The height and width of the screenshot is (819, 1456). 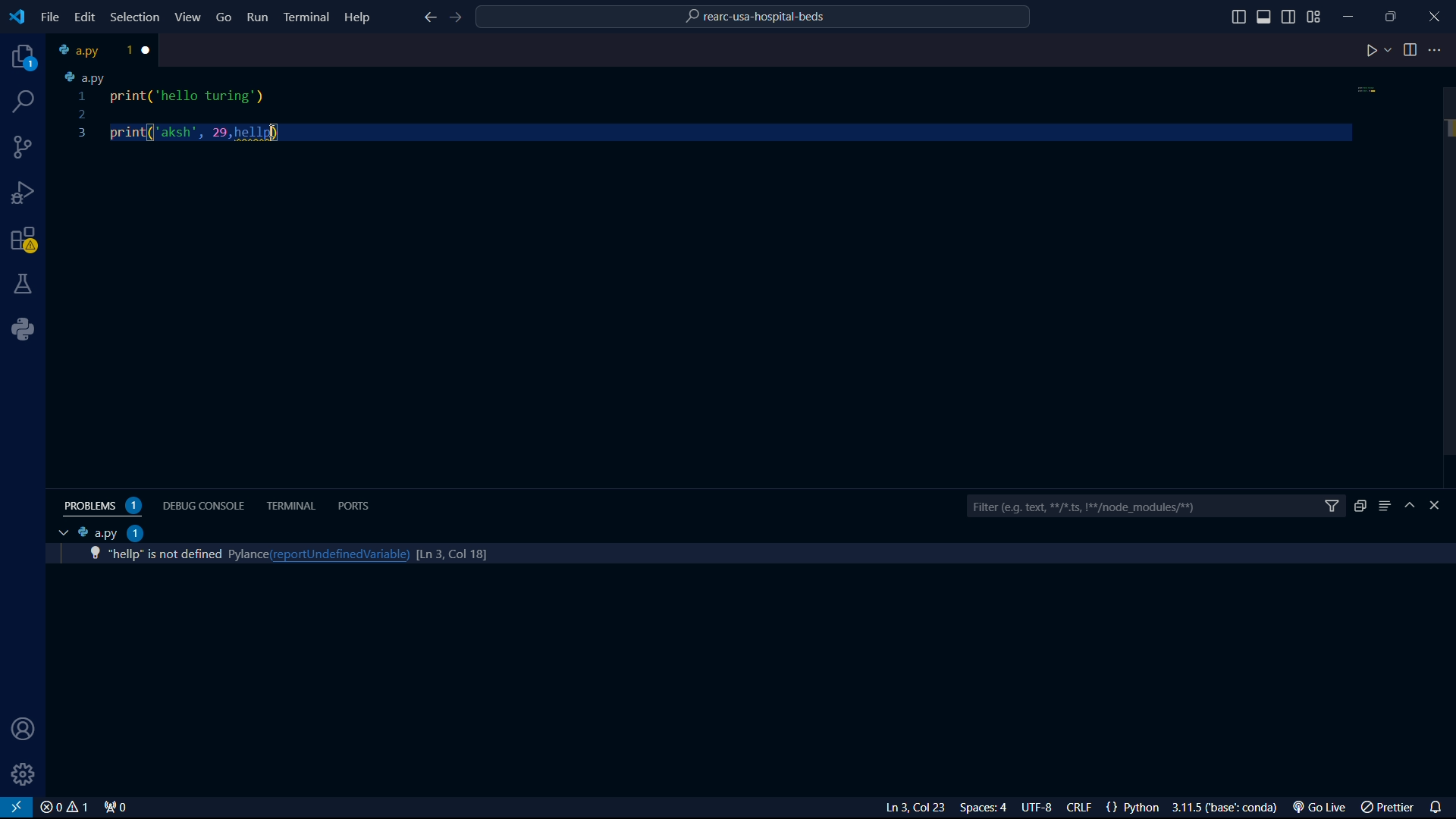 What do you see at coordinates (24, 242) in the screenshot?
I see `warning` at bounding box center [24, 242].